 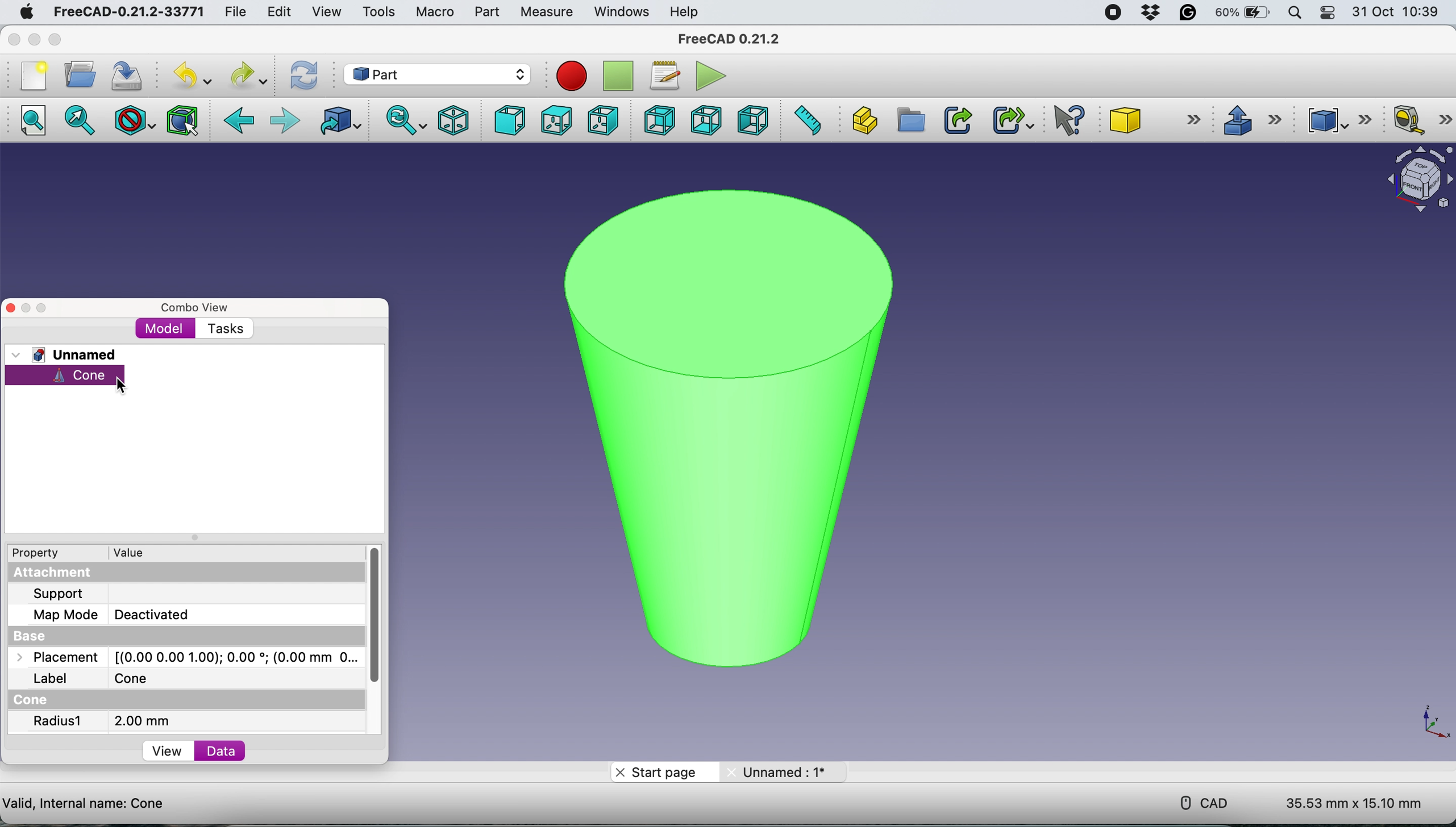 I want to click on macros, so click(x=664, y=73).